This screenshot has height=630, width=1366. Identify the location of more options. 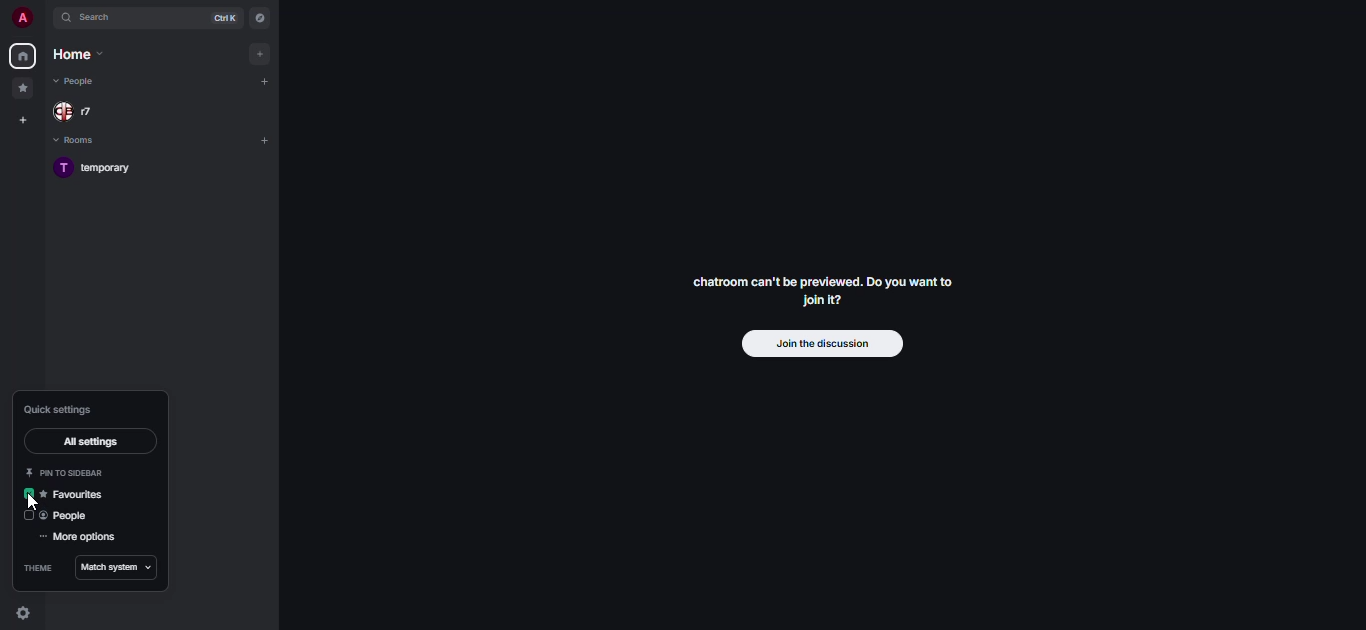
(76, 539).